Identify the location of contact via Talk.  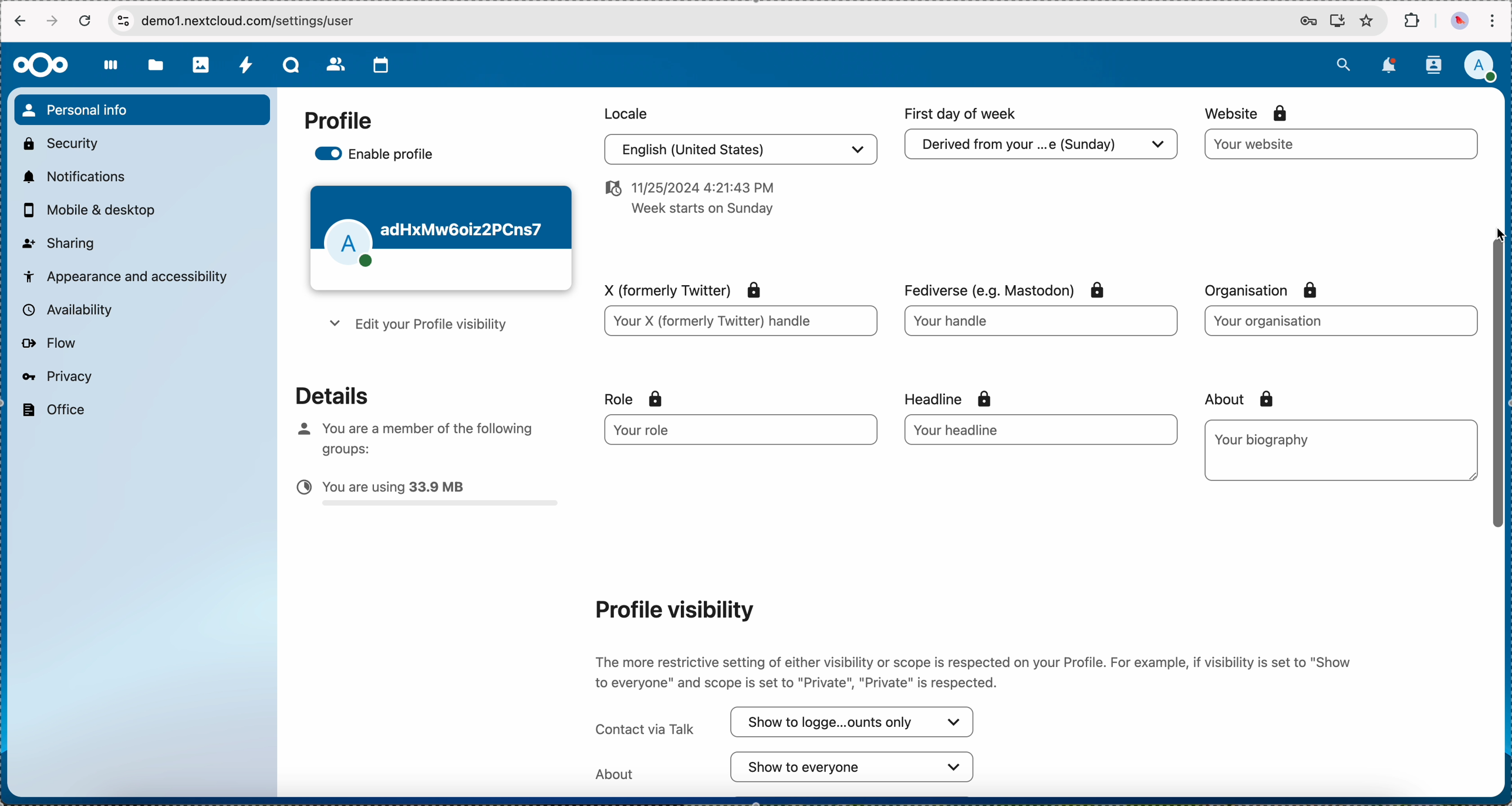
(786, 723).